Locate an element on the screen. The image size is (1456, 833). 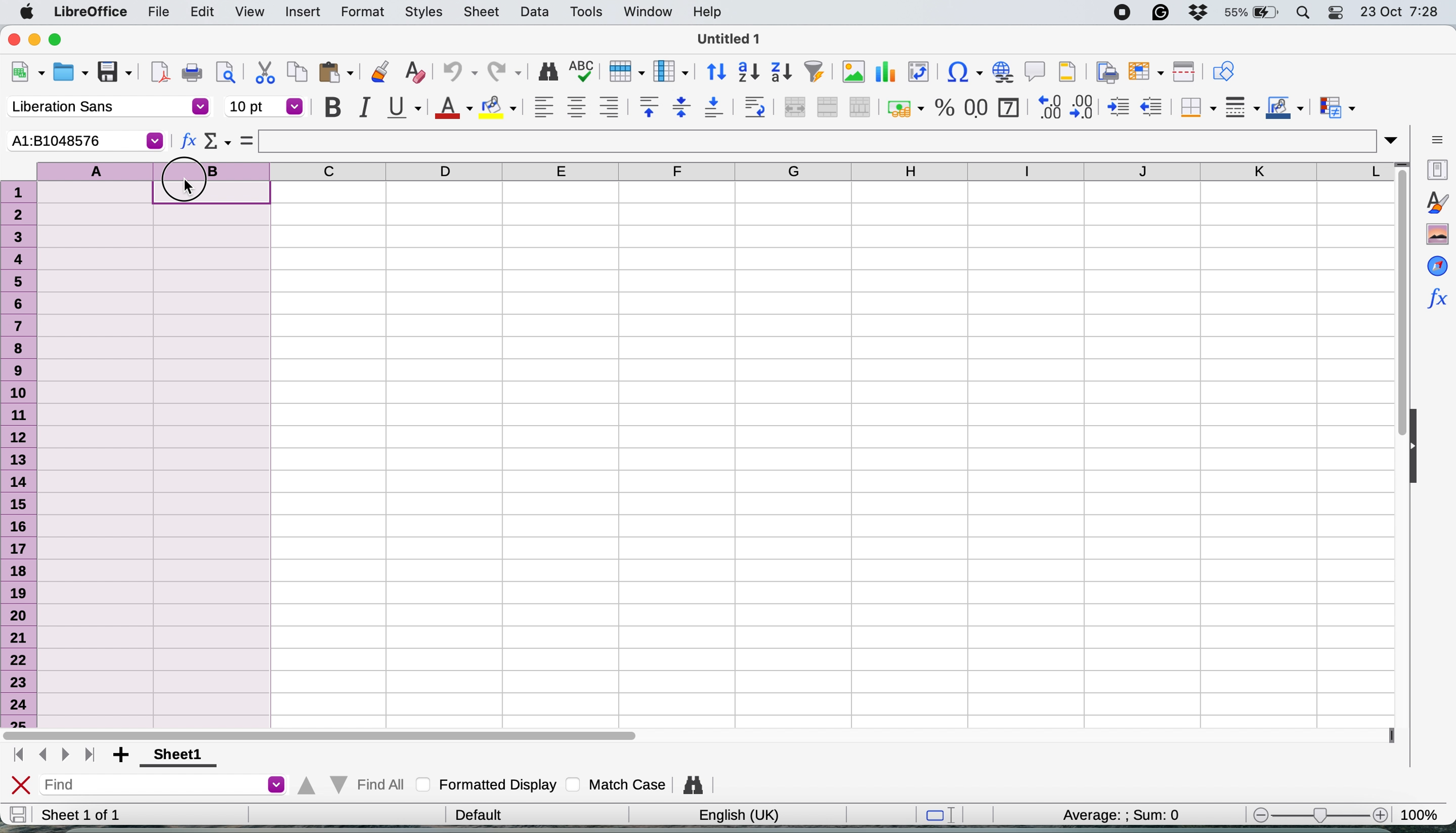
properties is located at coordinates (1436, 169).